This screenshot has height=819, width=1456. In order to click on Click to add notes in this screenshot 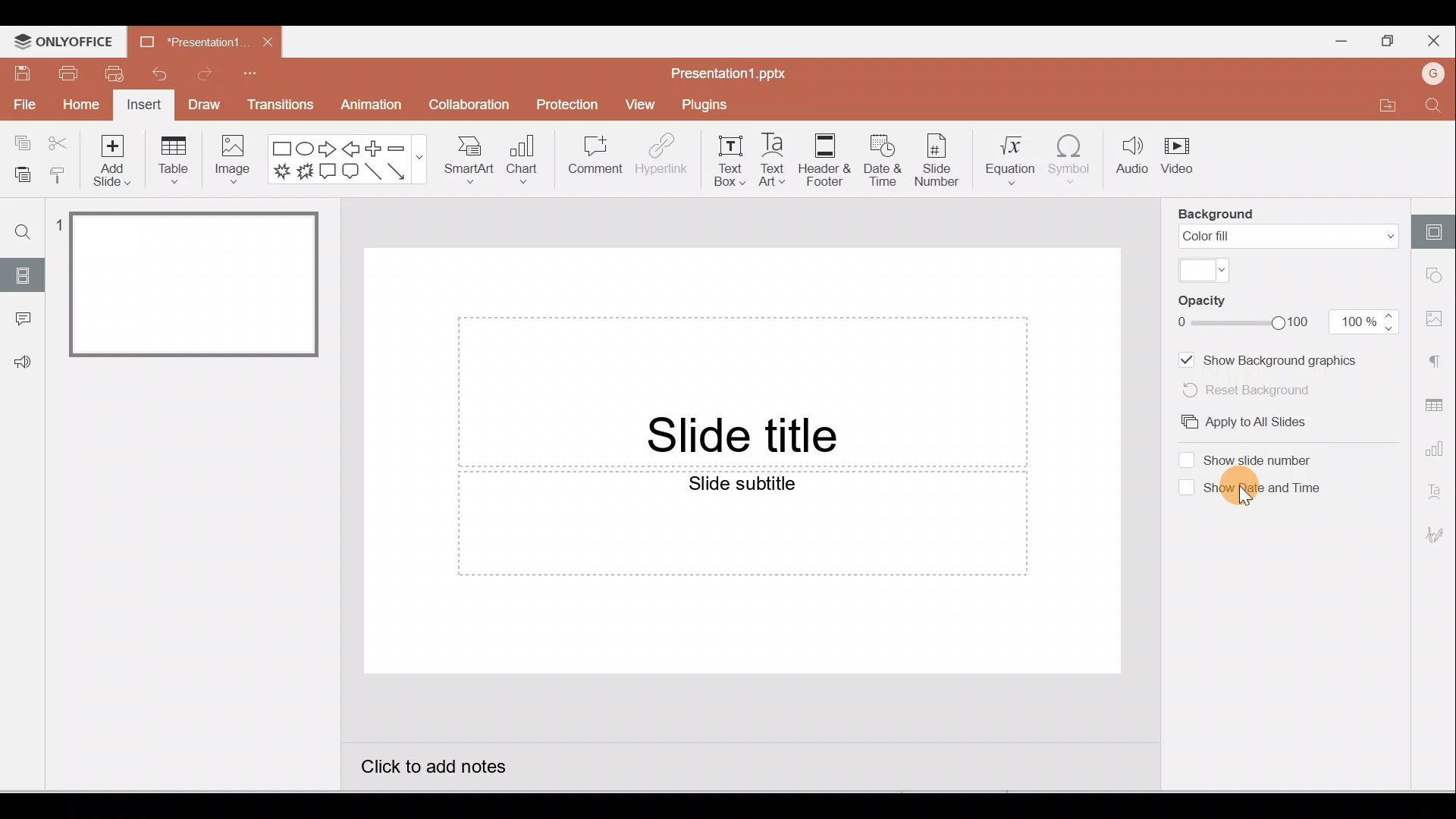, I will do `click(443, 772)`.